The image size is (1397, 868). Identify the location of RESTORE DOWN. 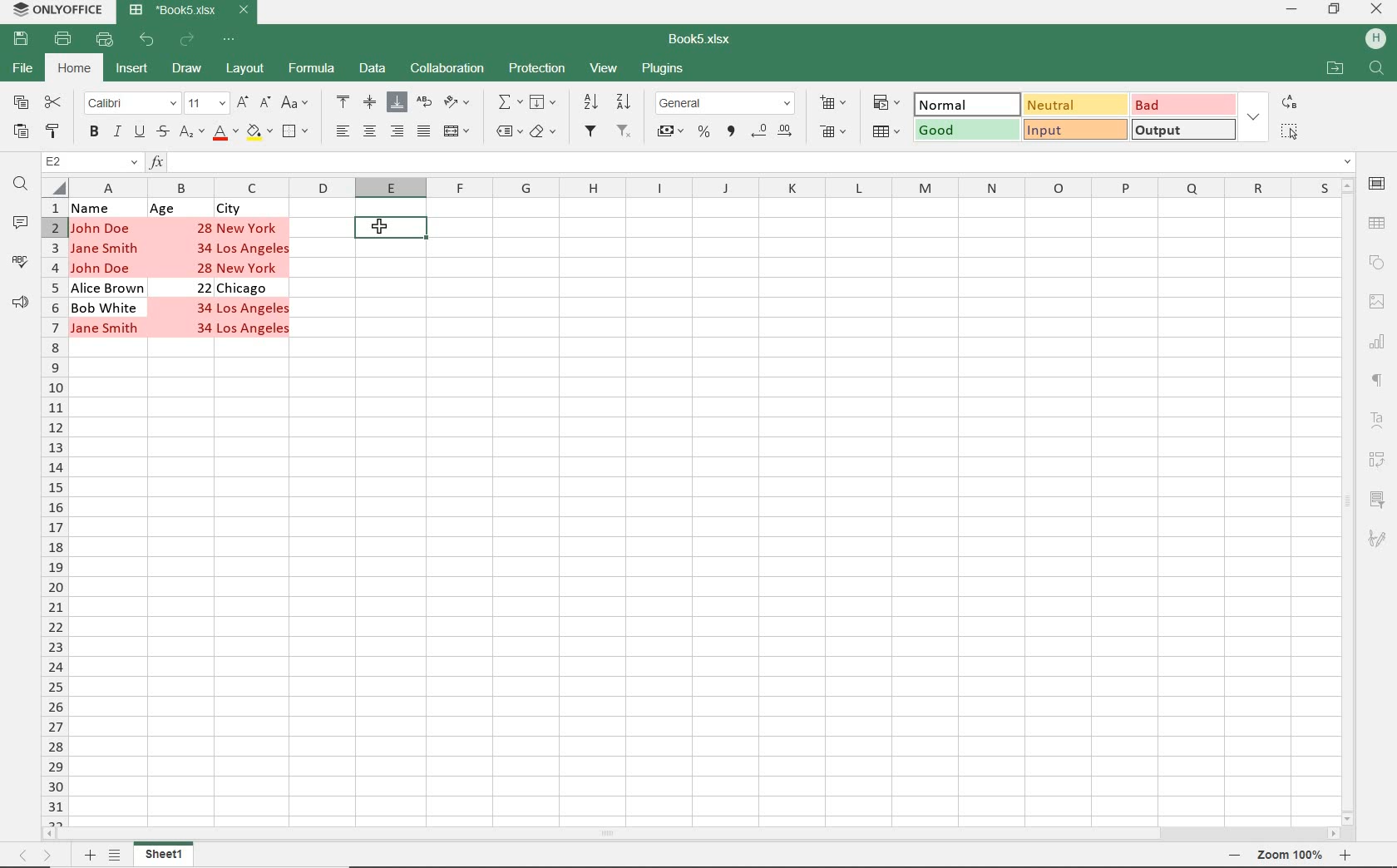
(1336, 10).